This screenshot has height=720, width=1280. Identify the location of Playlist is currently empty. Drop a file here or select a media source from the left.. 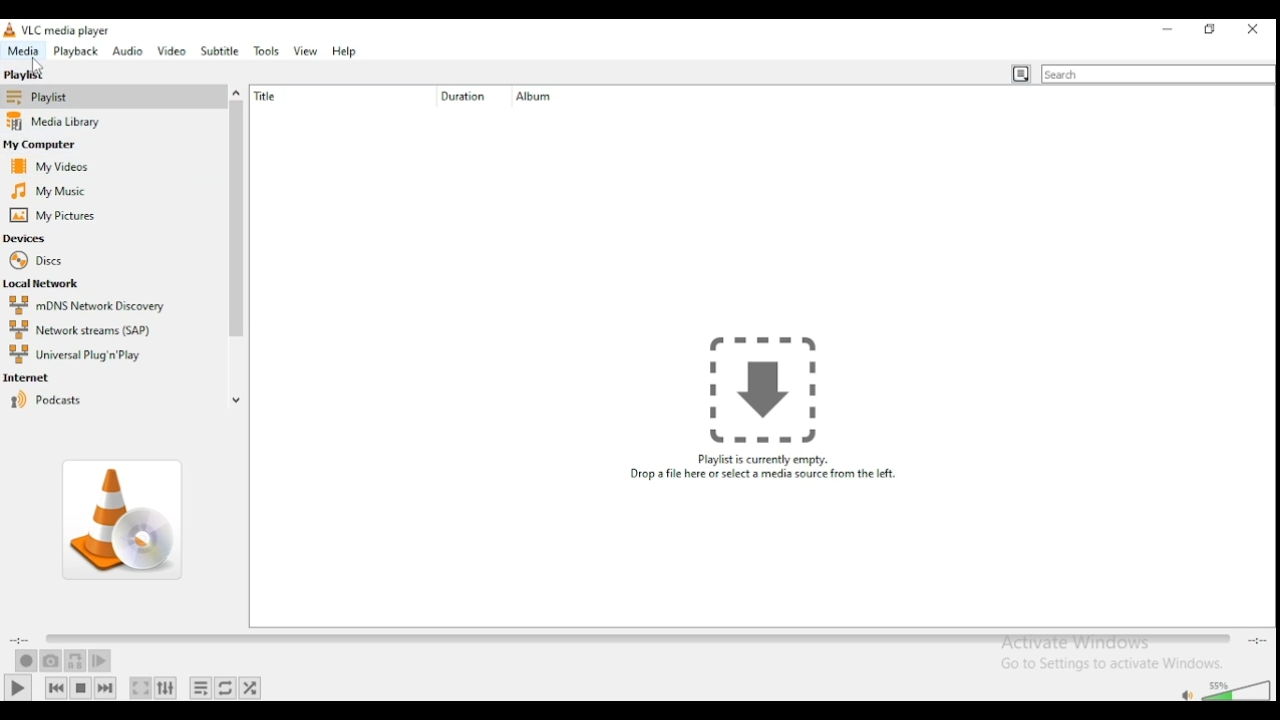
(762, 404).